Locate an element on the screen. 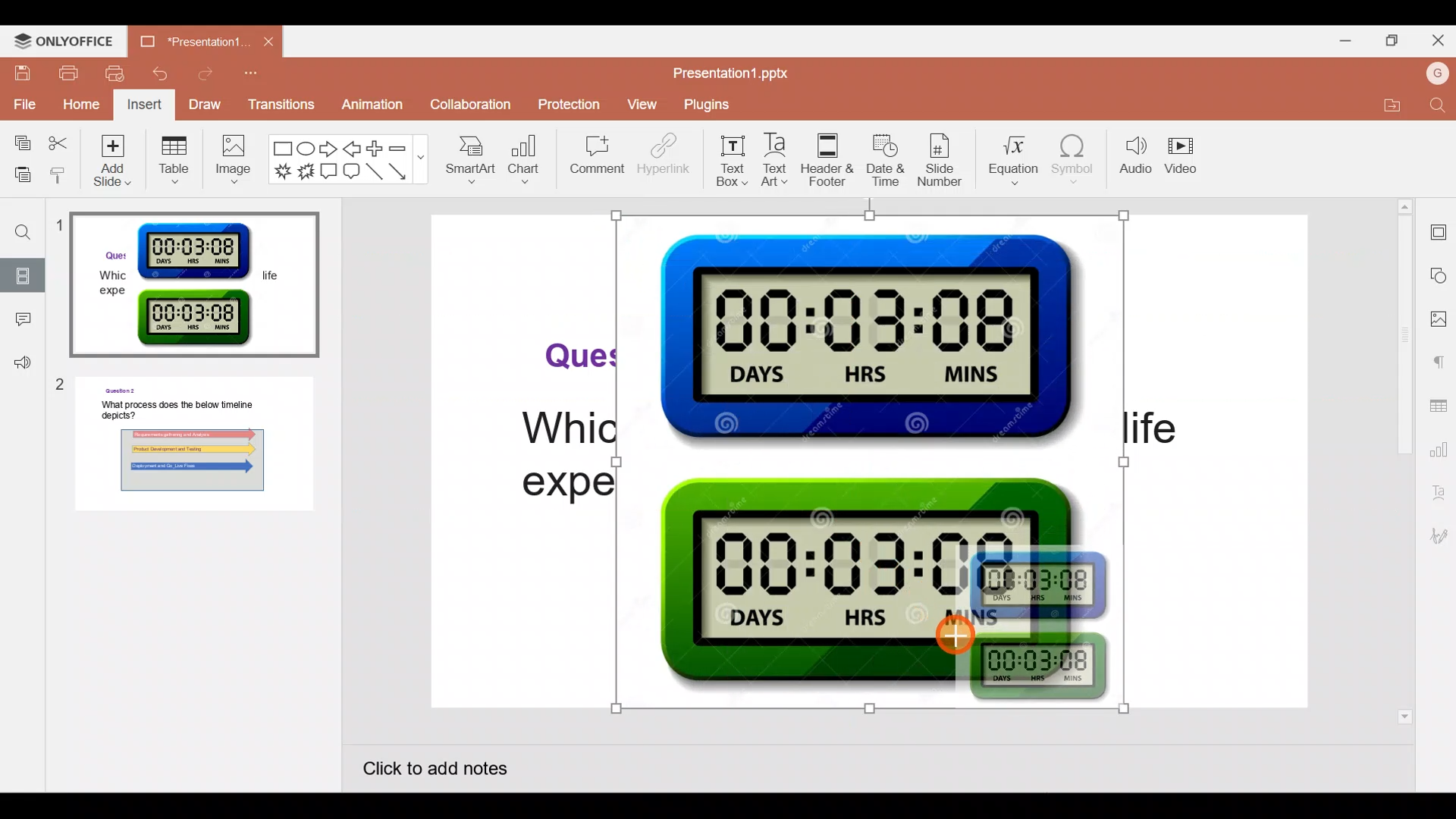 The image size is (1456, 819). Paragraph settings is located at coordinates (1439, 362).